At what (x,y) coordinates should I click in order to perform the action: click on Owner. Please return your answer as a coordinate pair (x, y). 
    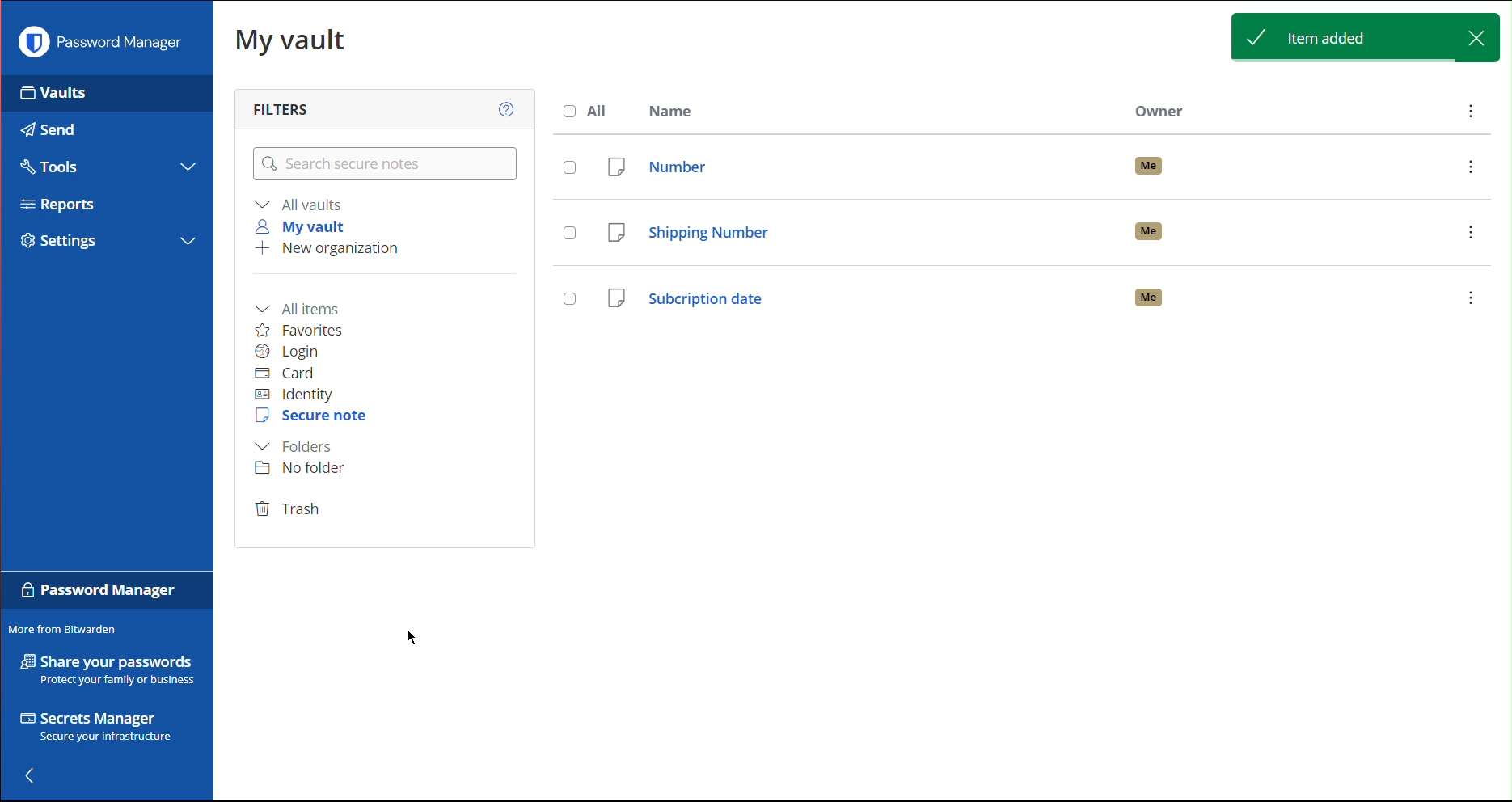
    Looking at the image, I should click on (1162, 112).